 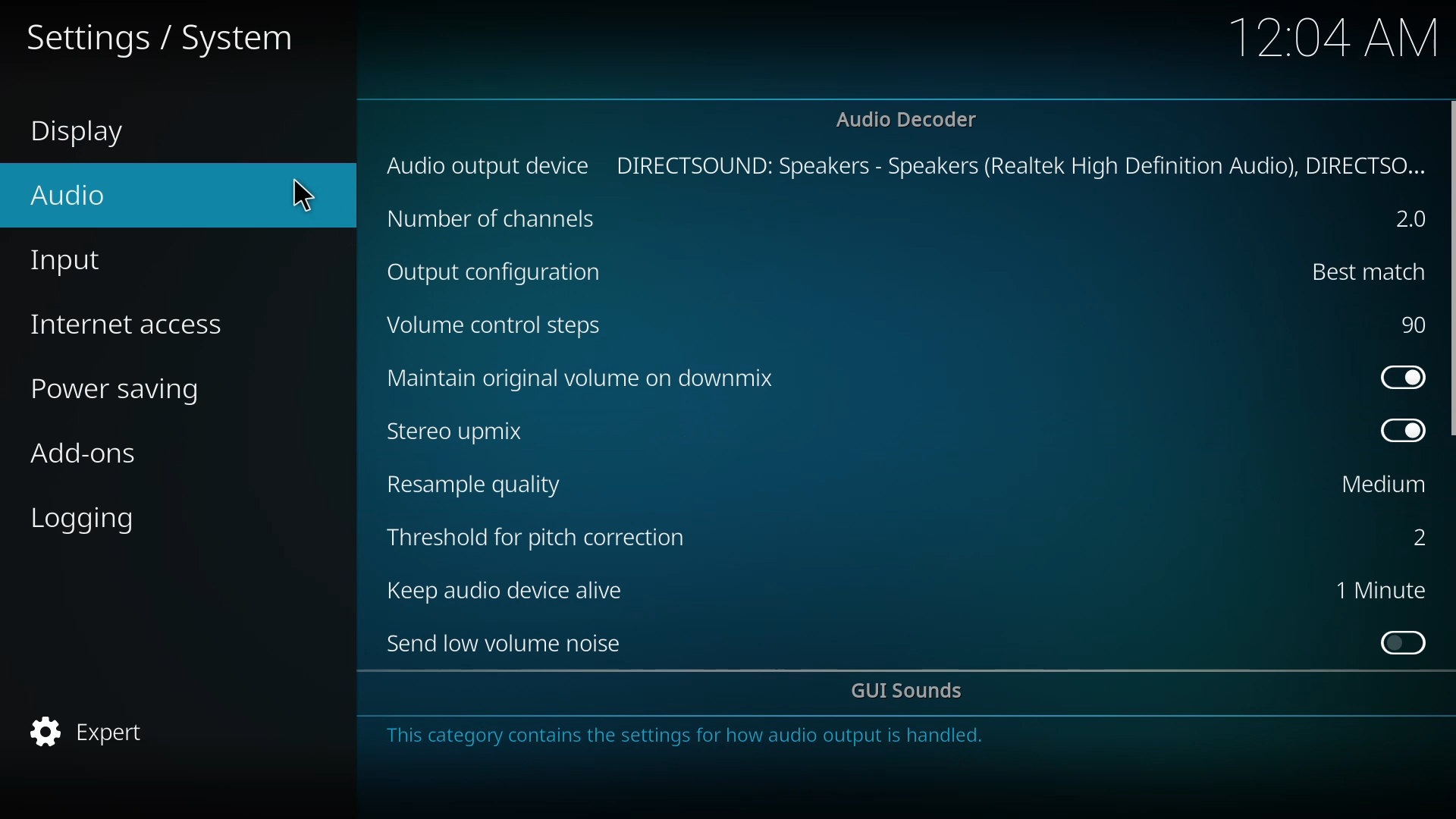 What do you see at coordinates (1413, 220) in the screenshot?
I see `2` at bounding box center [1413, 220].